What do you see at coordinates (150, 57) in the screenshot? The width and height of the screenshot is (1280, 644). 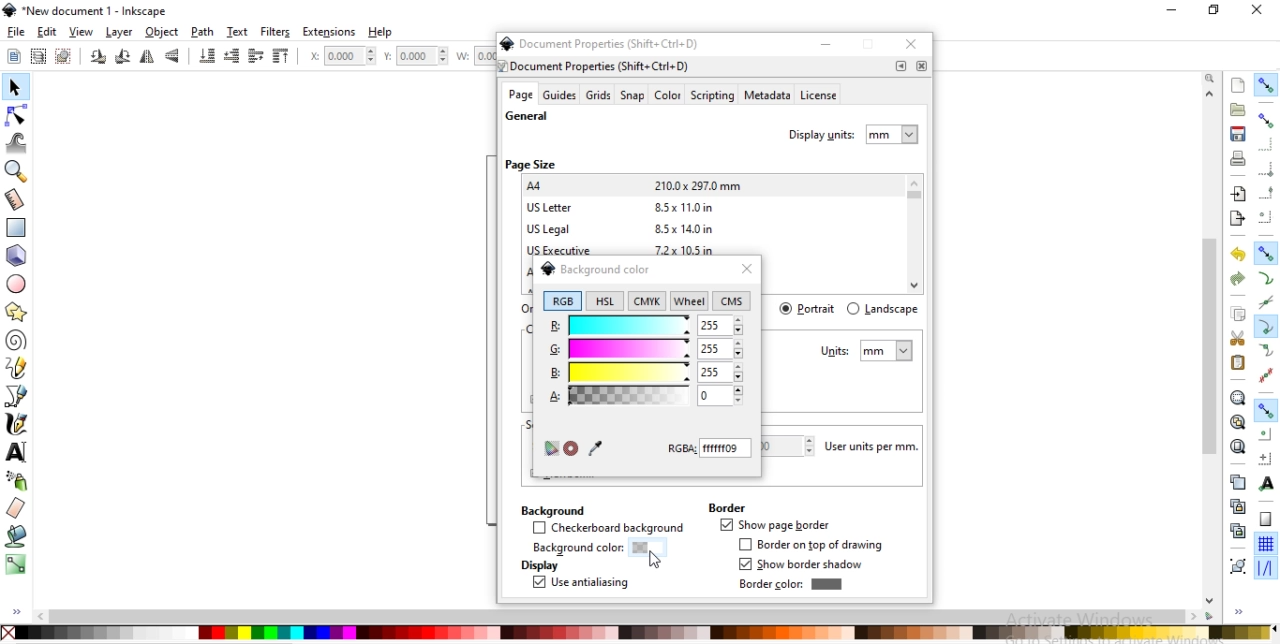 I see `flip horizontally` at bounding box center [150, 57].